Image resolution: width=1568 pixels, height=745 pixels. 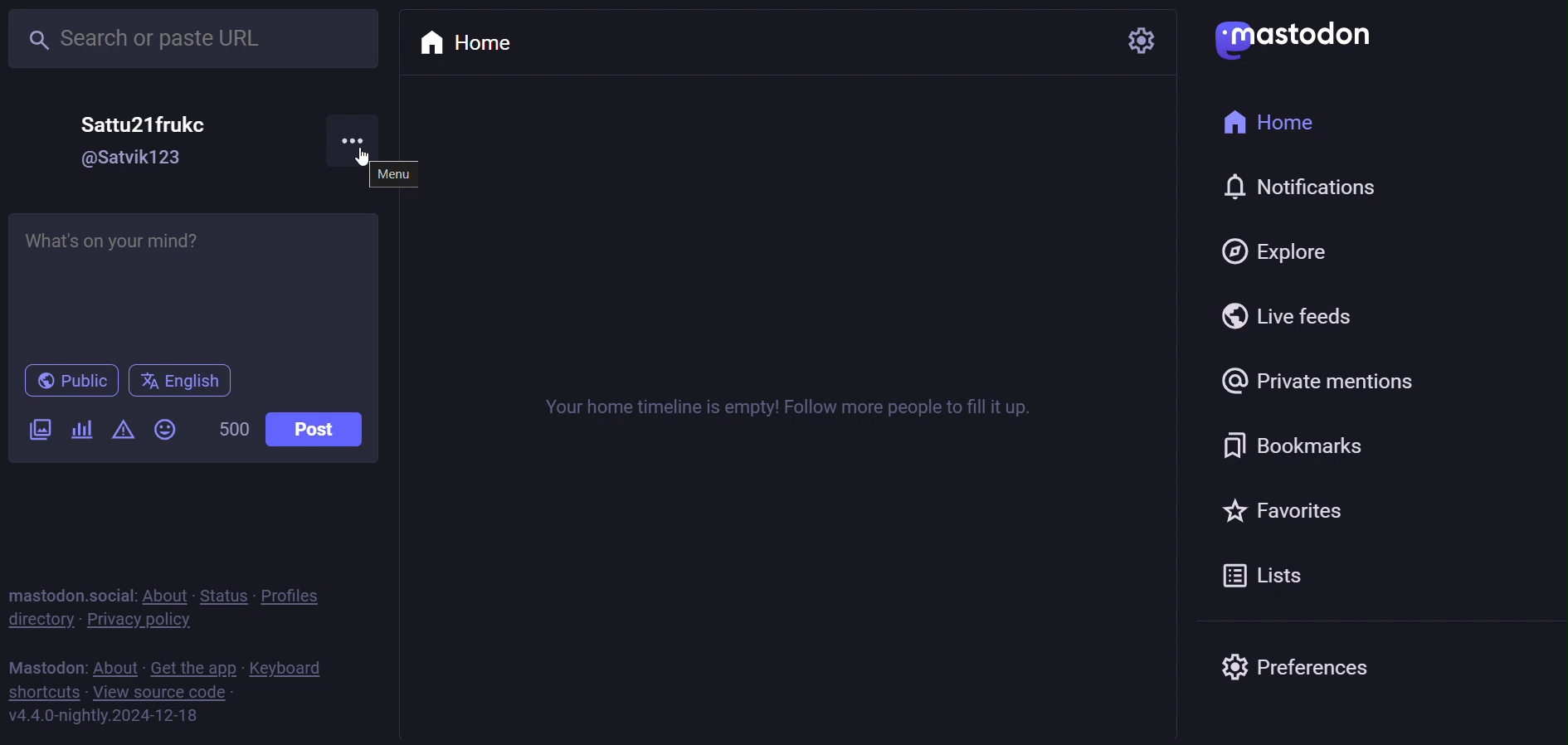 What do you see at coordinates (1300, 254) in the screenshot?
I see `explore` at bounding box center [1300, 254].